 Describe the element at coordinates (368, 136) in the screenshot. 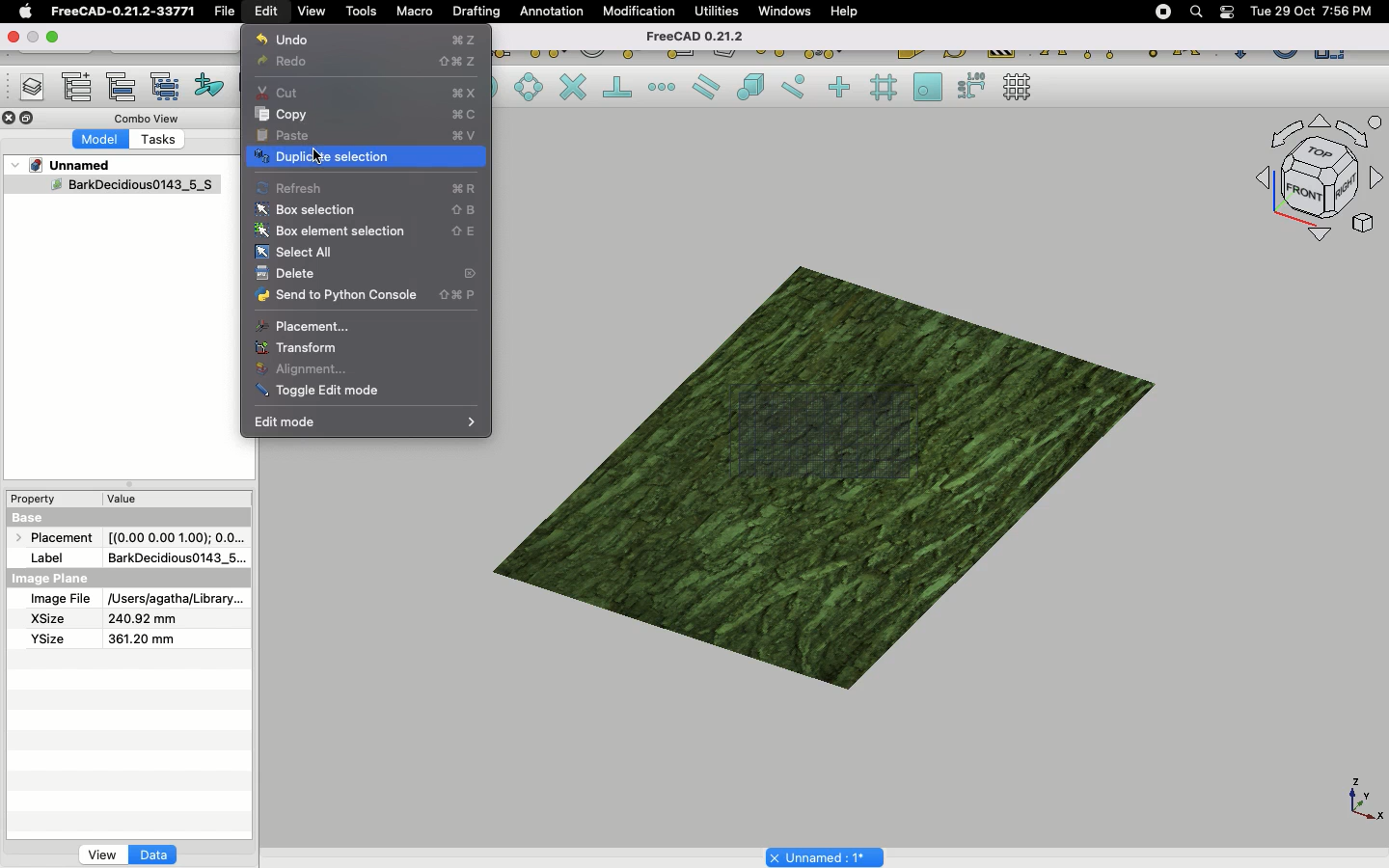

I see `Paste` at that location.